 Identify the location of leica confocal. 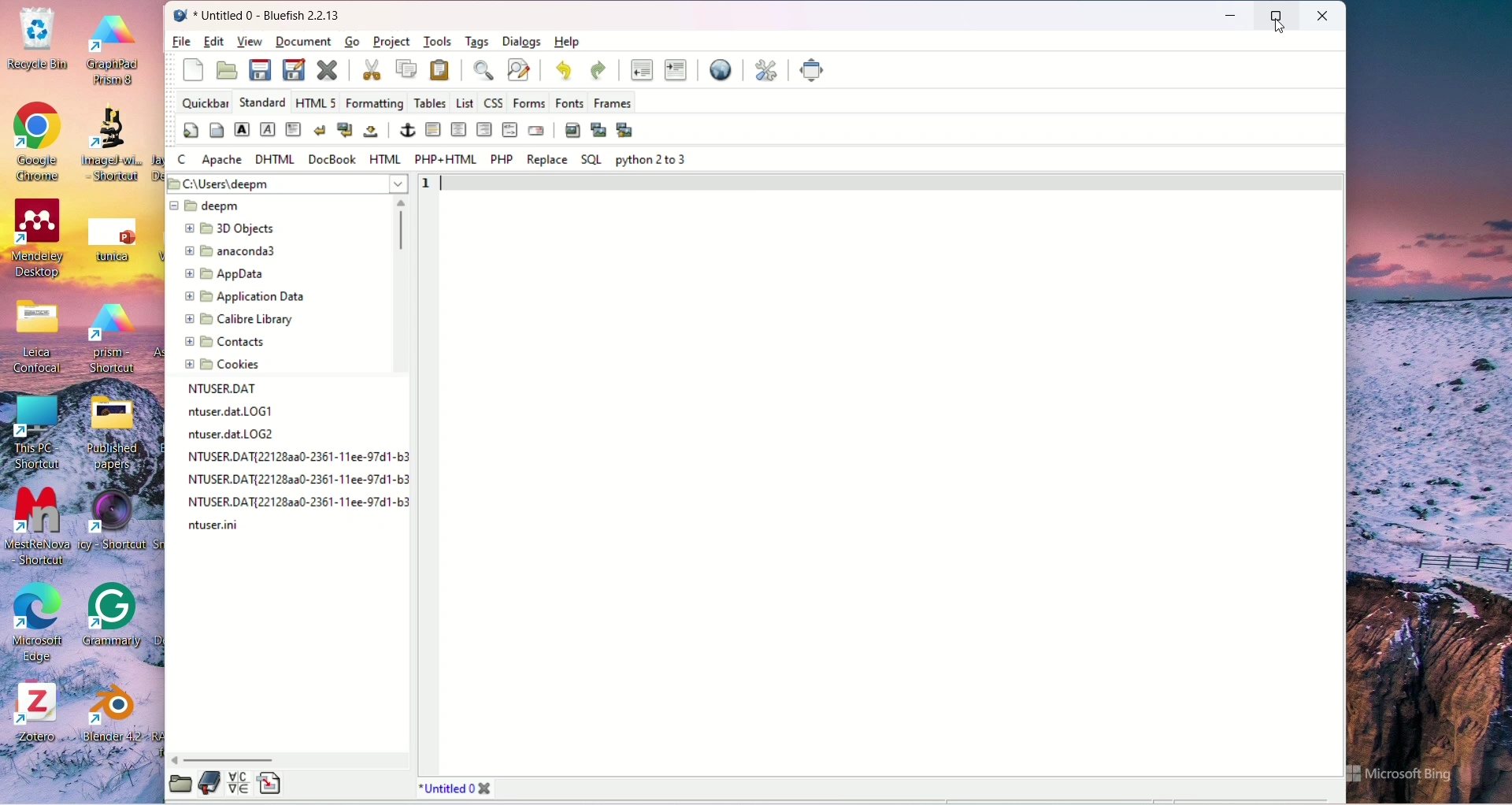
(41, 339).